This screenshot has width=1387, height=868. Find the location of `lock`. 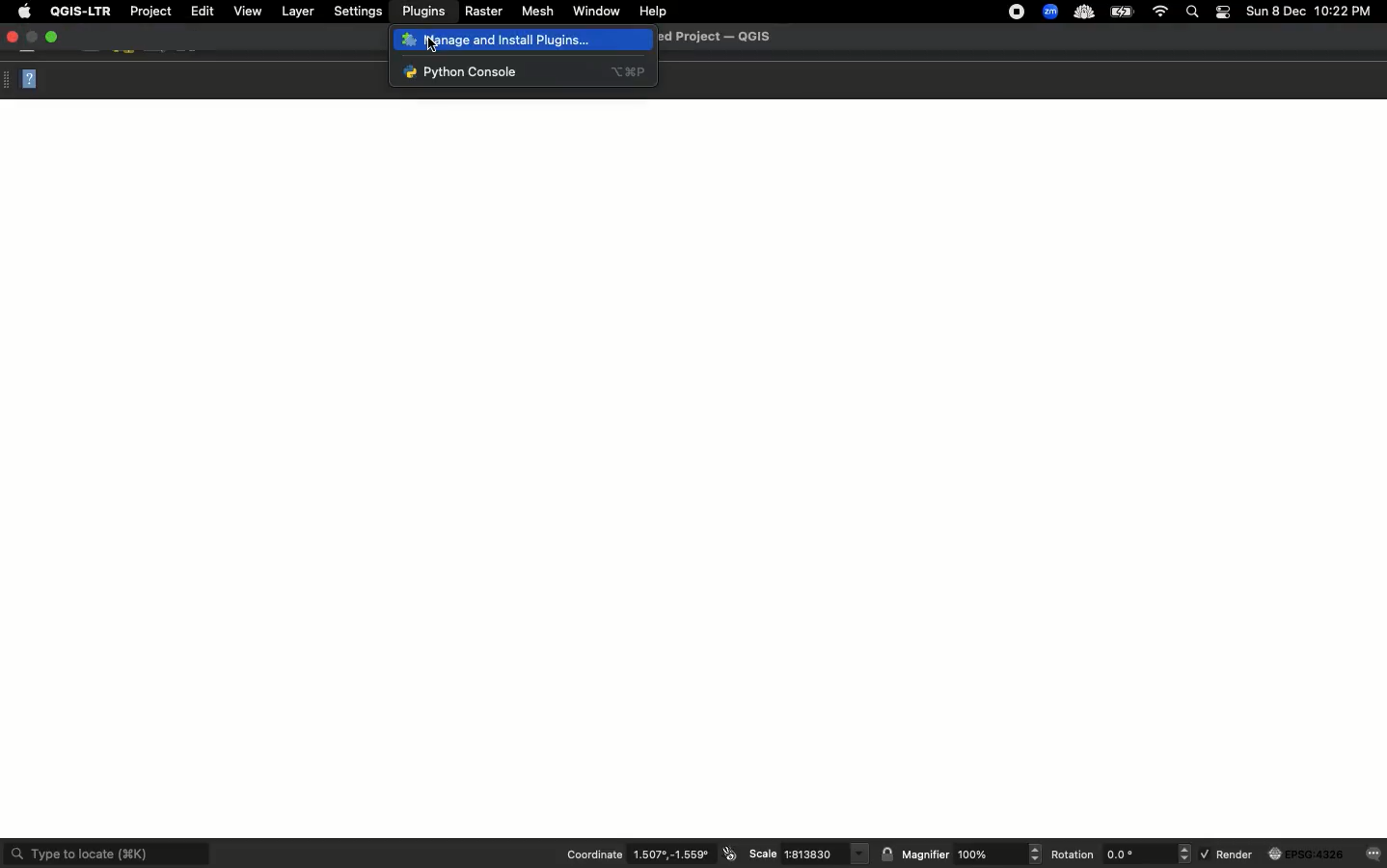

lock is located at coordinates (887, 854).